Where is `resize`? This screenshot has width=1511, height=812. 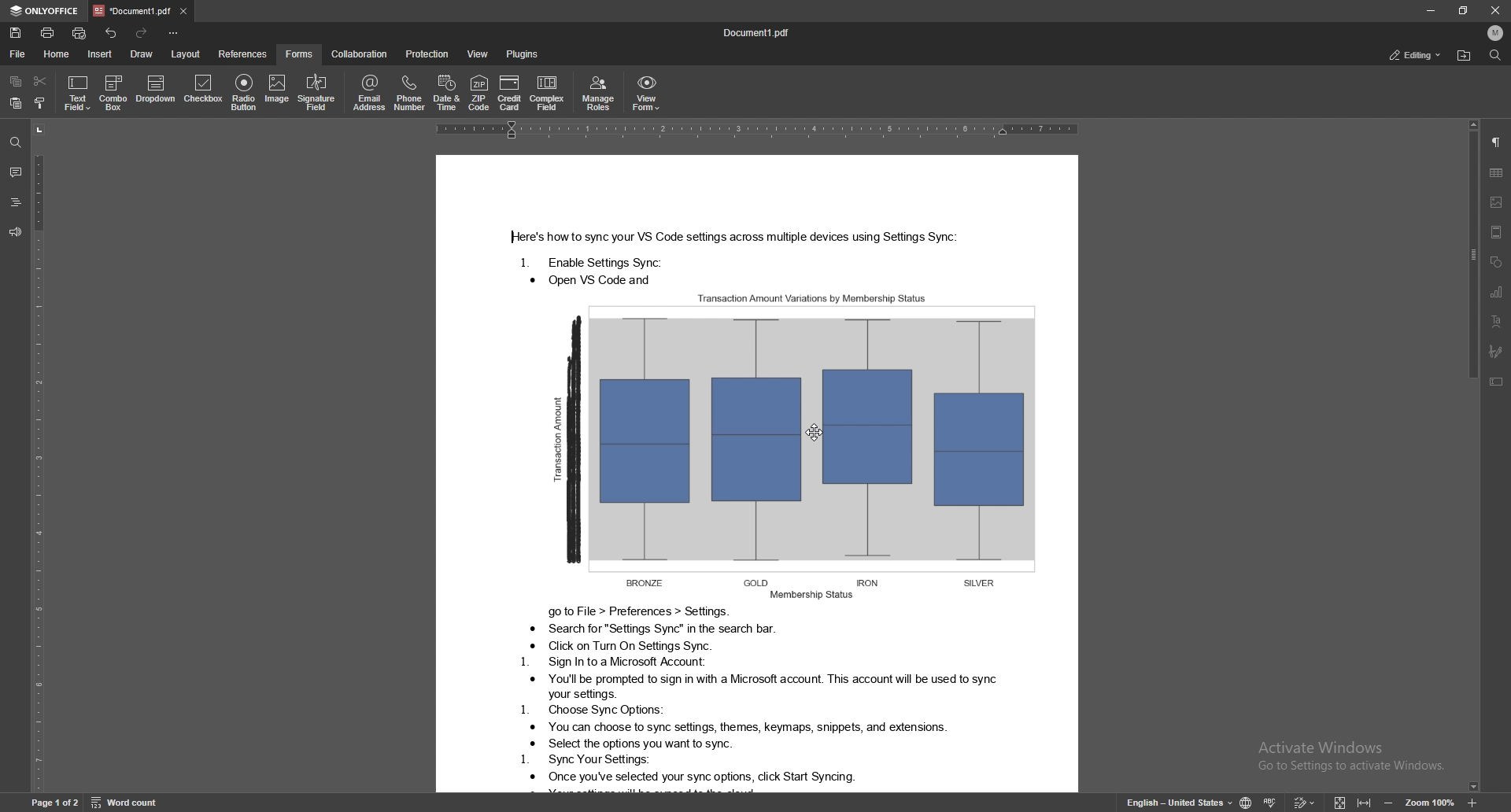 resize is located at coordinates (1463, 10).